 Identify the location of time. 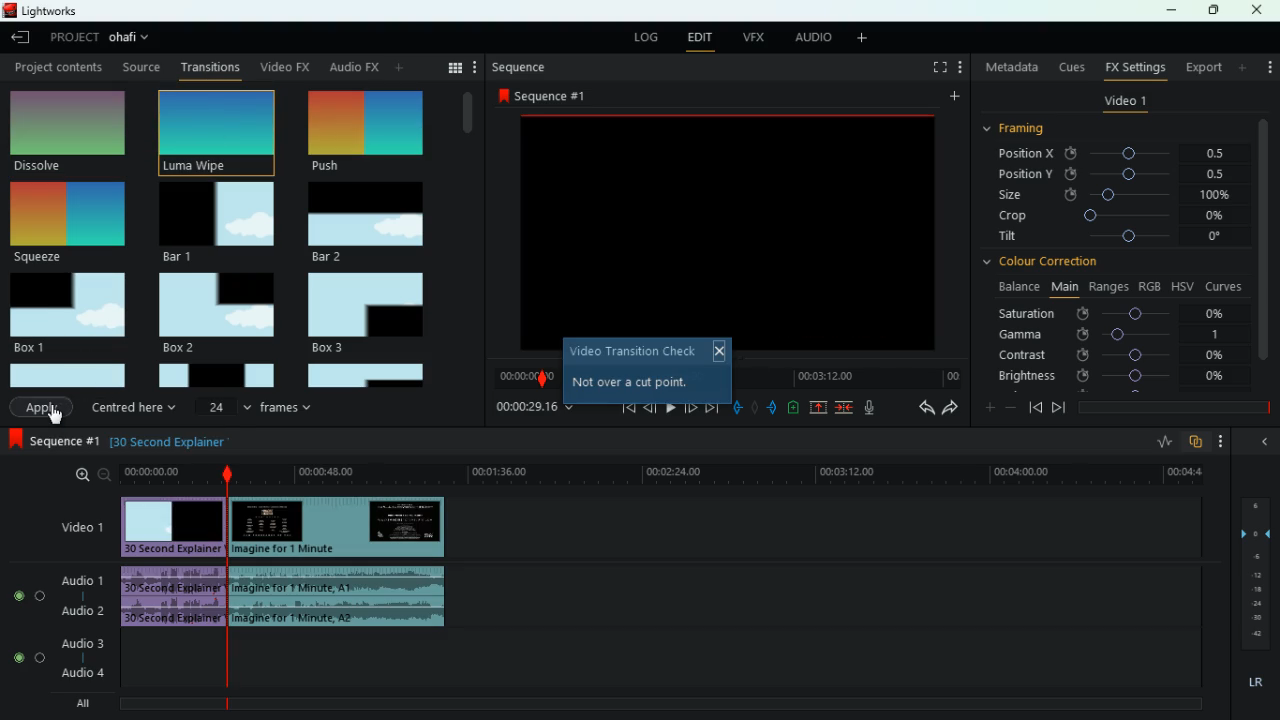
(660, 474).